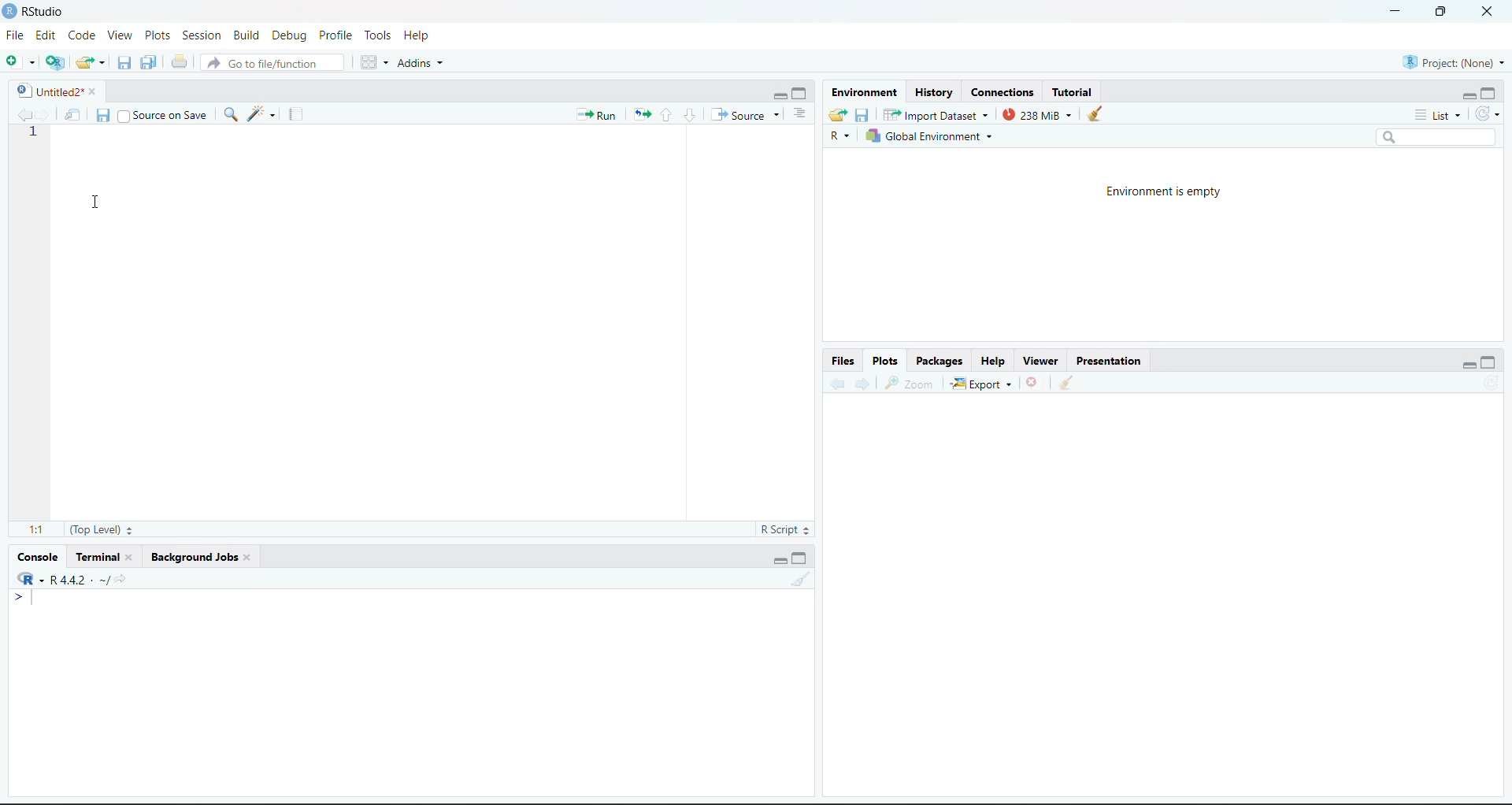  What do you see at coordinates (836, 384) in the screenshot?
I see `back` at bounding box center [836, 384].